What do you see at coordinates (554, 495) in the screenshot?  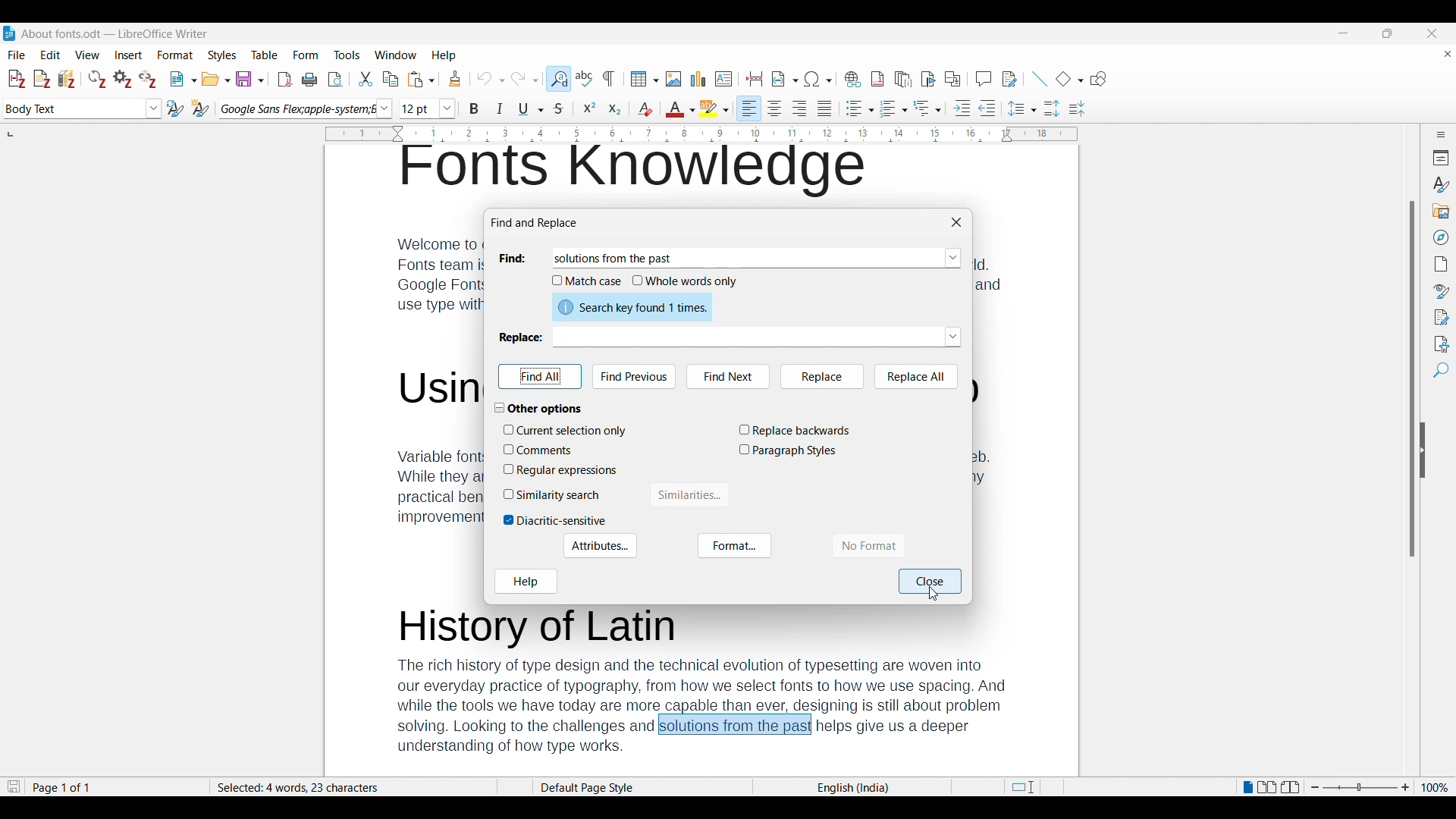 I see `Toggle for Similarity search` at bounding box center [554, 495].